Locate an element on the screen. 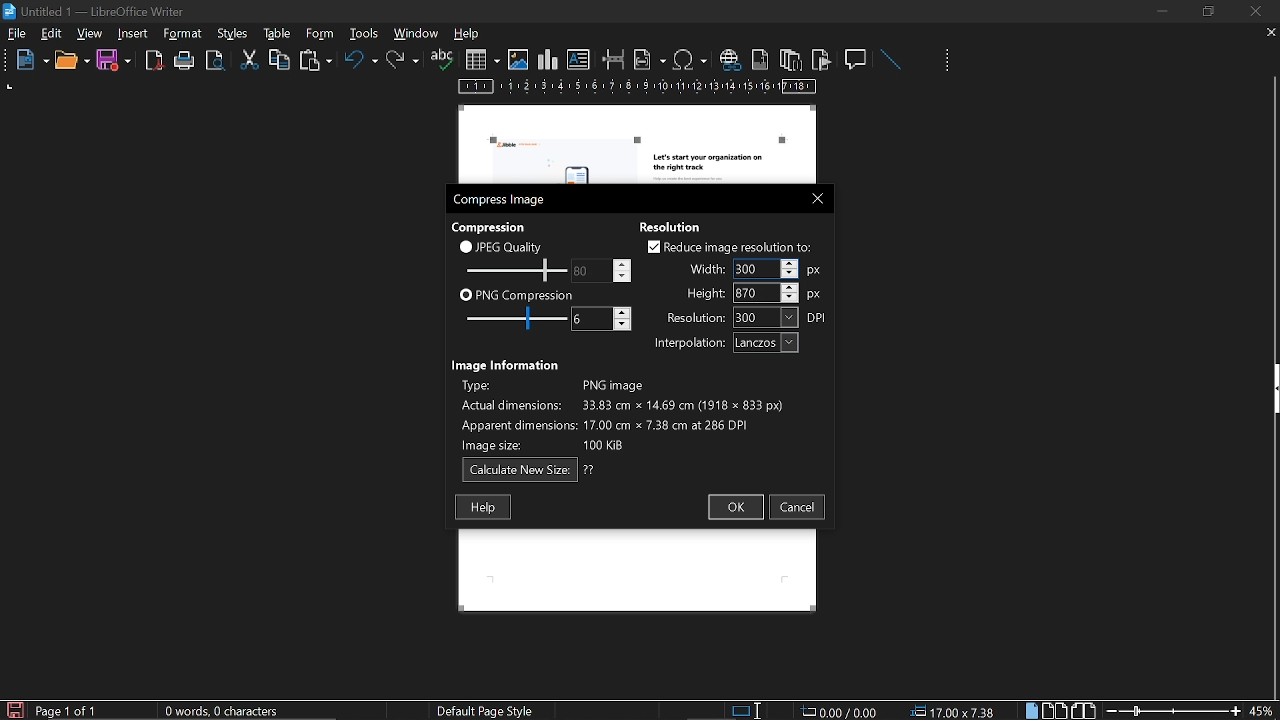 This screenshot has width=1280, height=720. insert field is located at coordinates (650, 59).